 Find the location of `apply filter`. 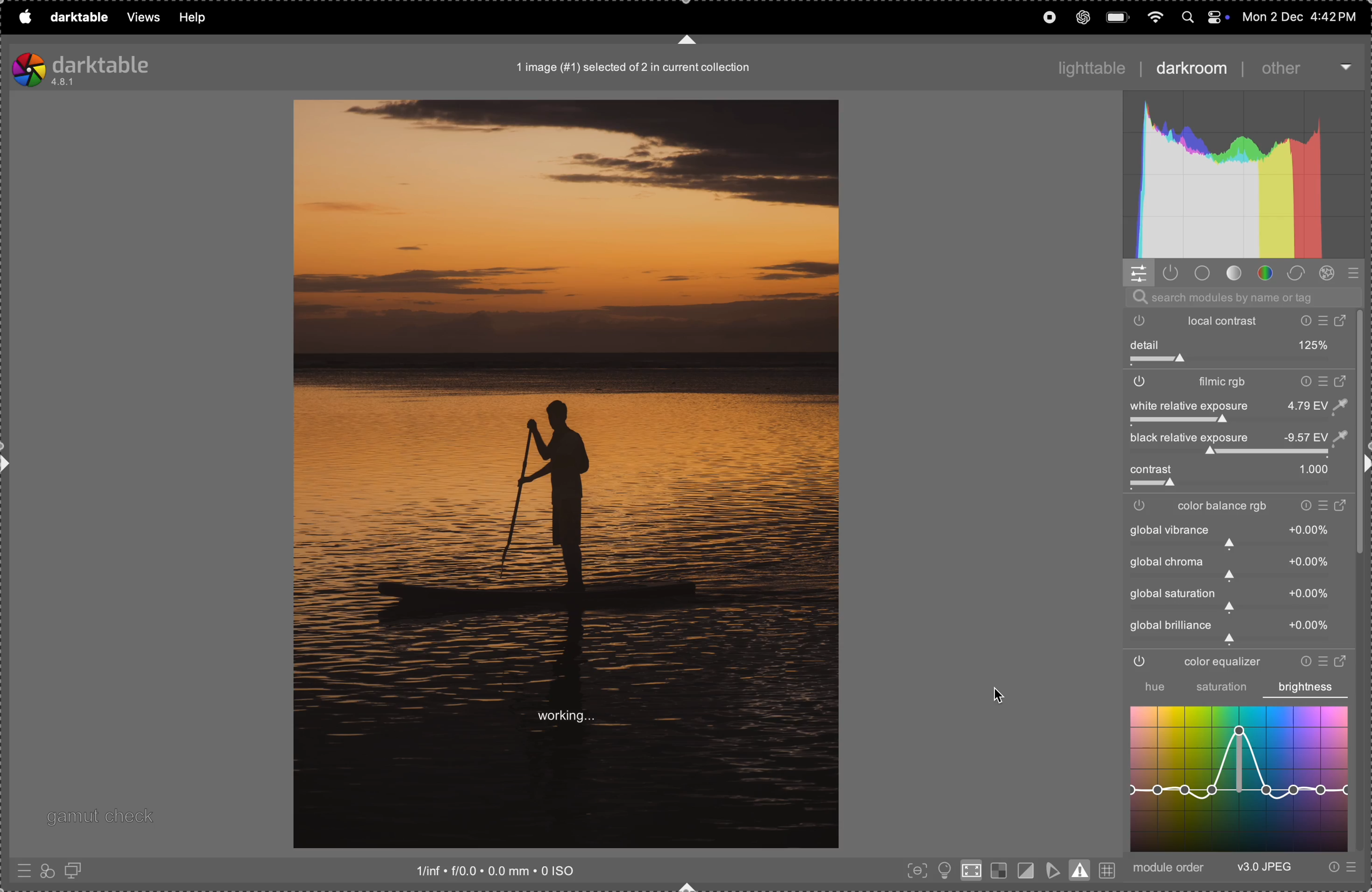

apply filter is located at coordinates (47, 870).